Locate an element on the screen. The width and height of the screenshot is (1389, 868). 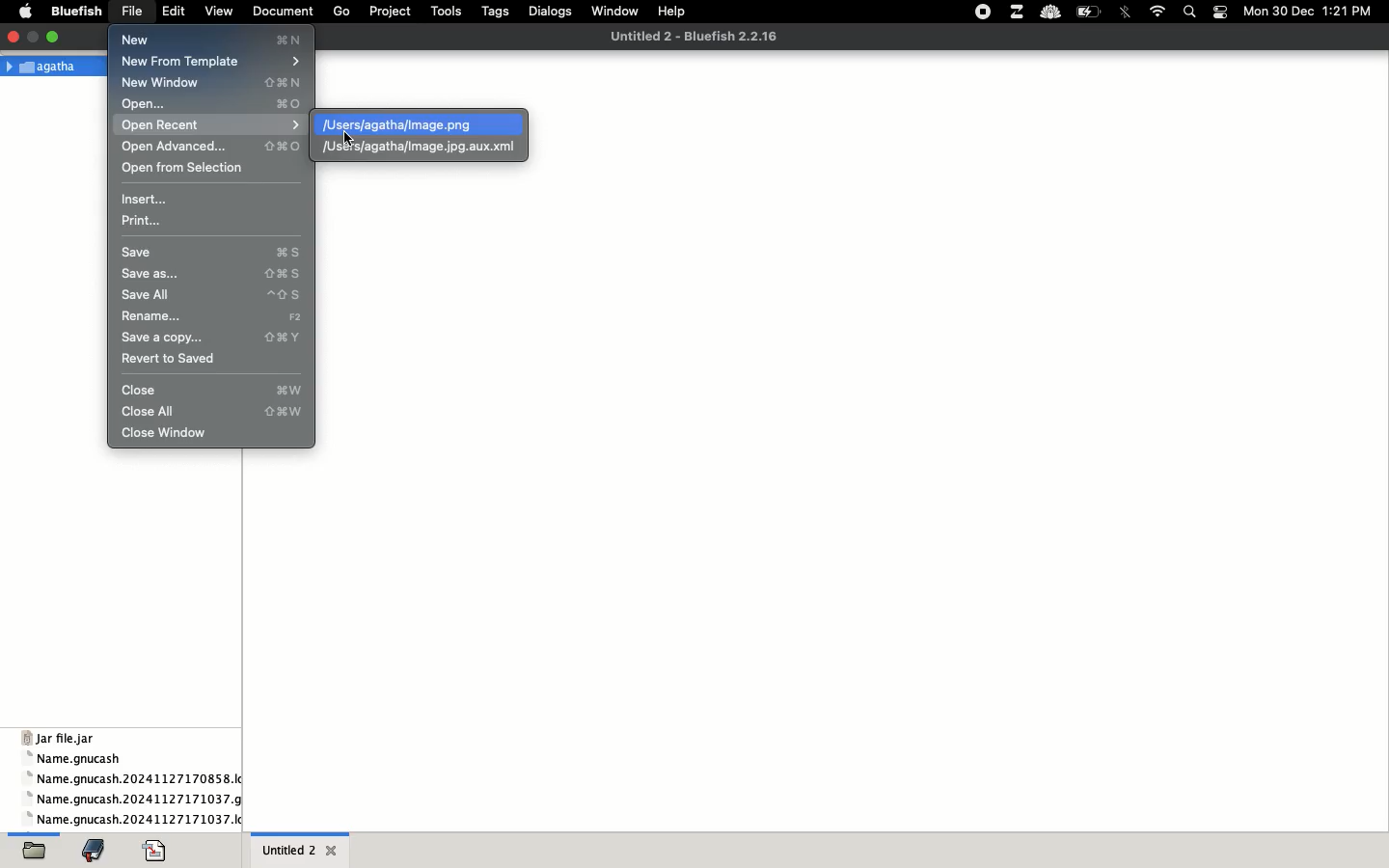
save a copy is located at coordinates (212, 338).